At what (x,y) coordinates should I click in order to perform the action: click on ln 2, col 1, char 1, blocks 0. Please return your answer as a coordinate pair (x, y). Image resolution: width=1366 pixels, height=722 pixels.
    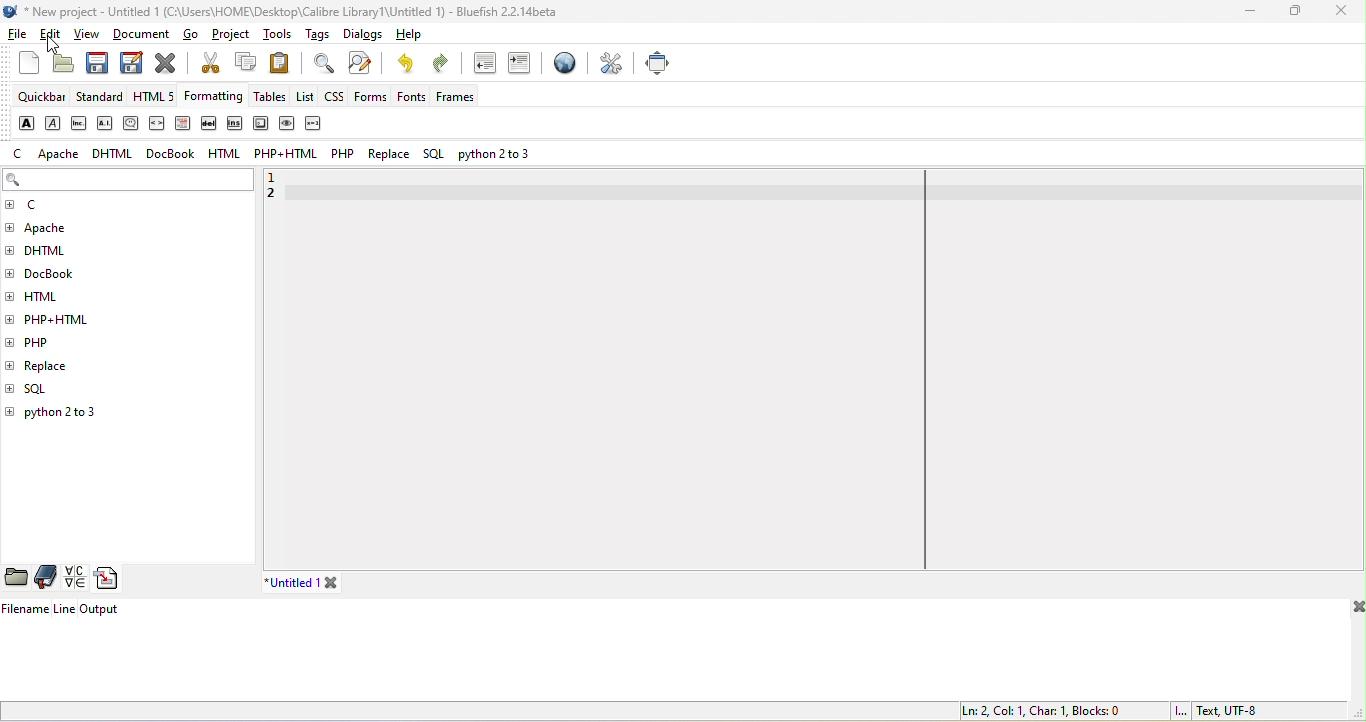
    Looking at the image, I should click on (1039, 710).